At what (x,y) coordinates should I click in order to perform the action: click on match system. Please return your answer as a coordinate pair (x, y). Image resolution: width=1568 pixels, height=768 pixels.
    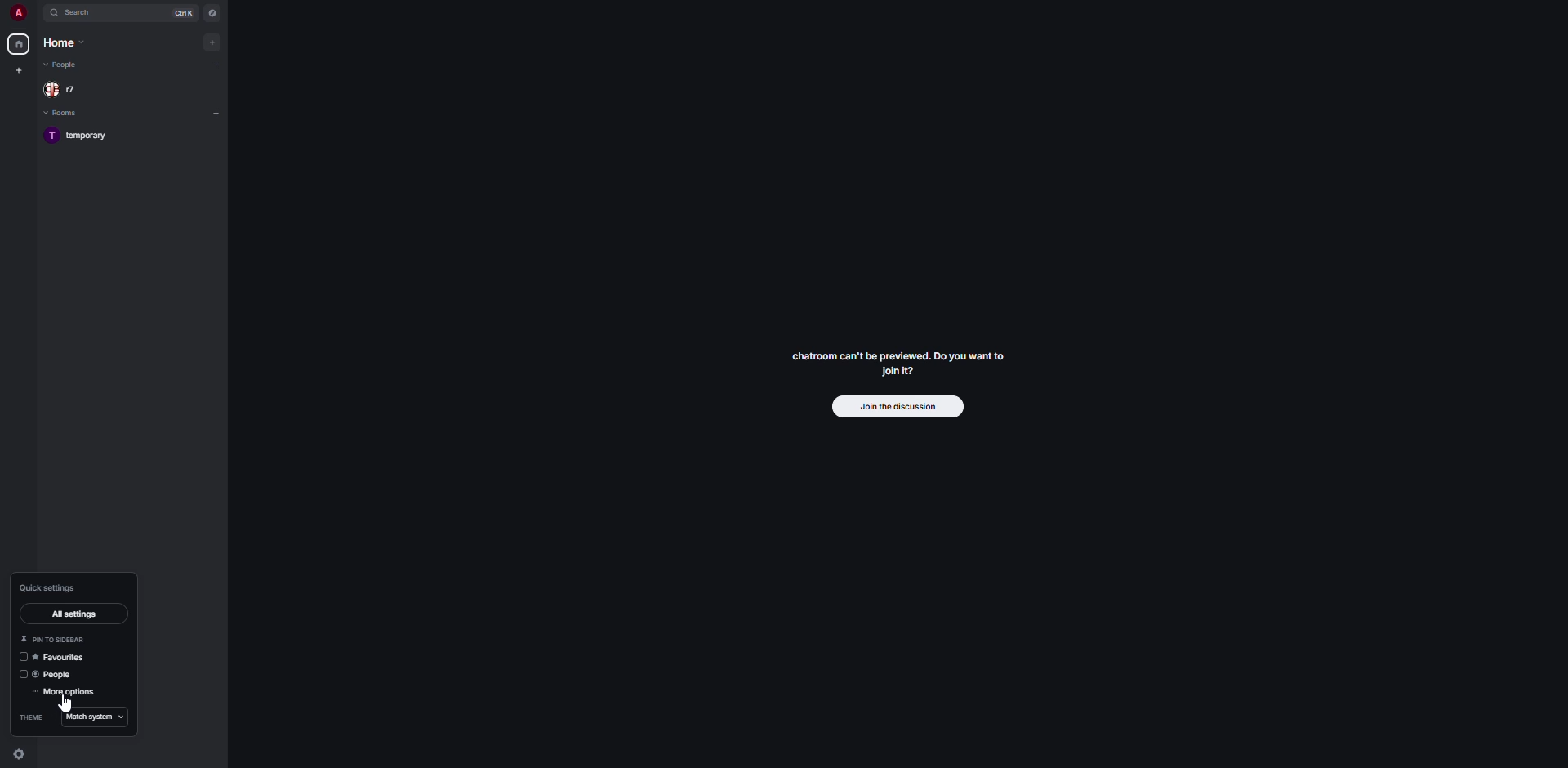
    Looking at the image, I should click on (95, 717).